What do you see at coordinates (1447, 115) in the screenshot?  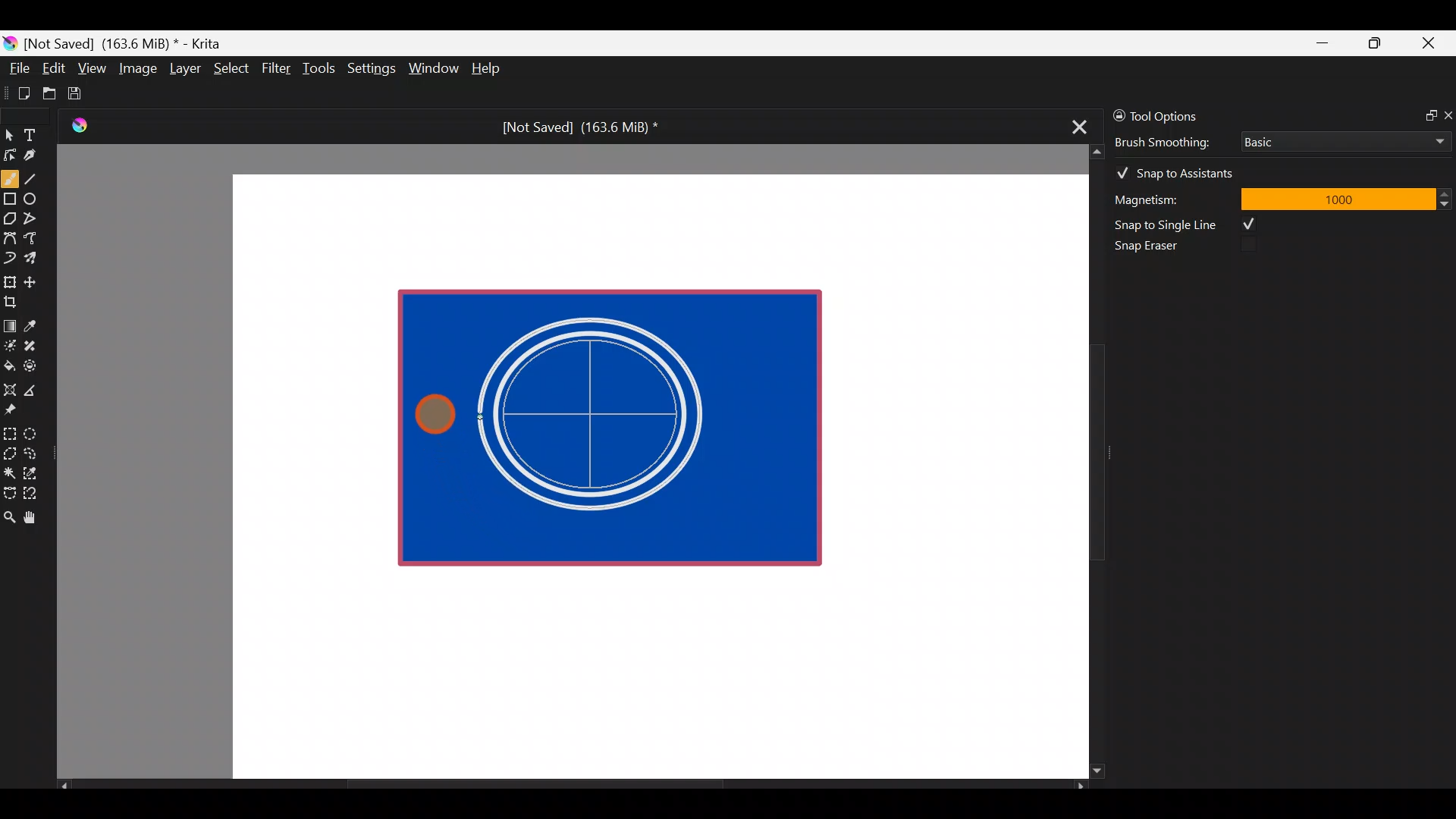 I see `Close docker` at bounding box center [1447, 115].